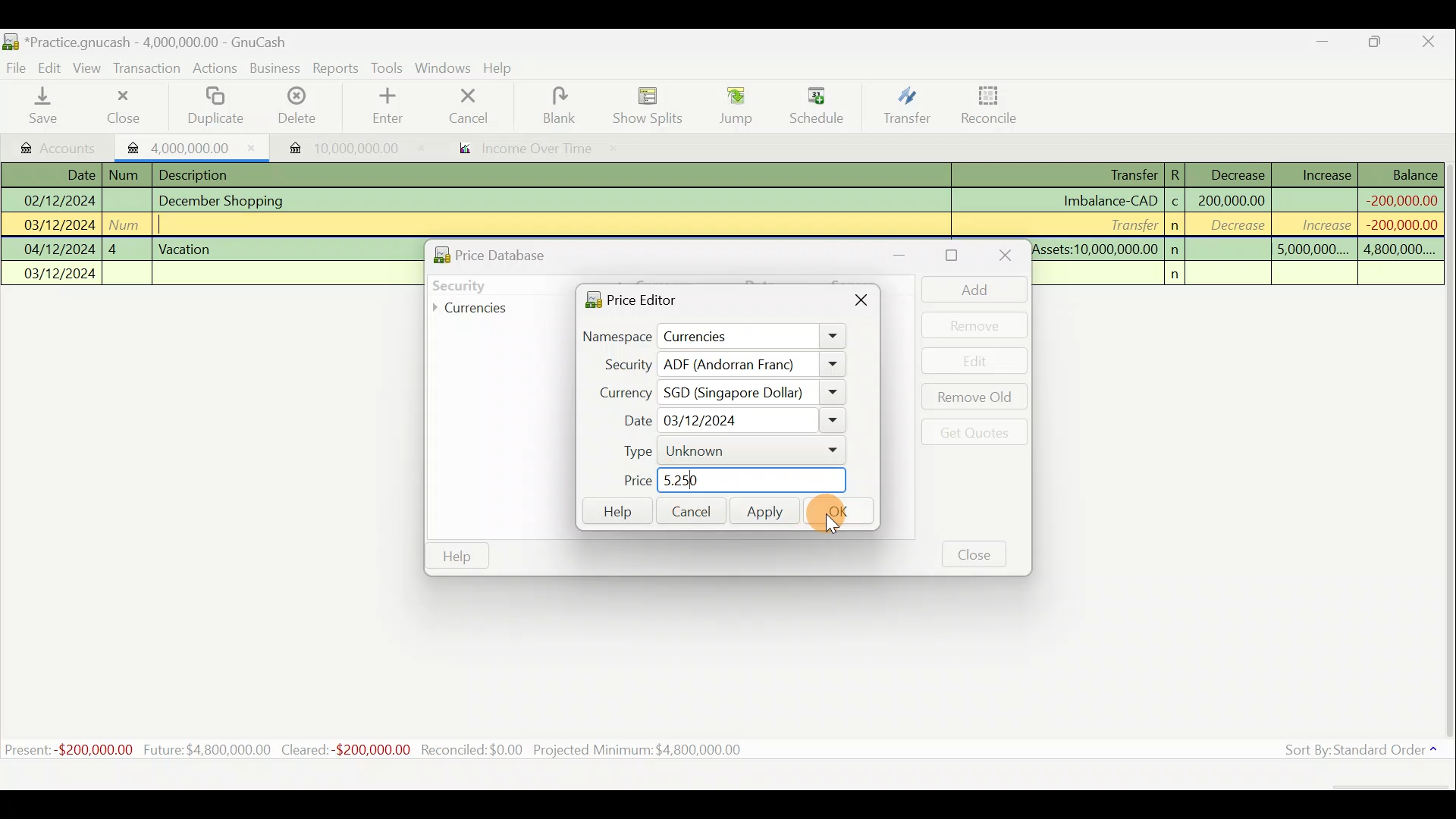  Describe the element at coordinates (817, 105) in the screenshot. I see `Schedule` at that location.